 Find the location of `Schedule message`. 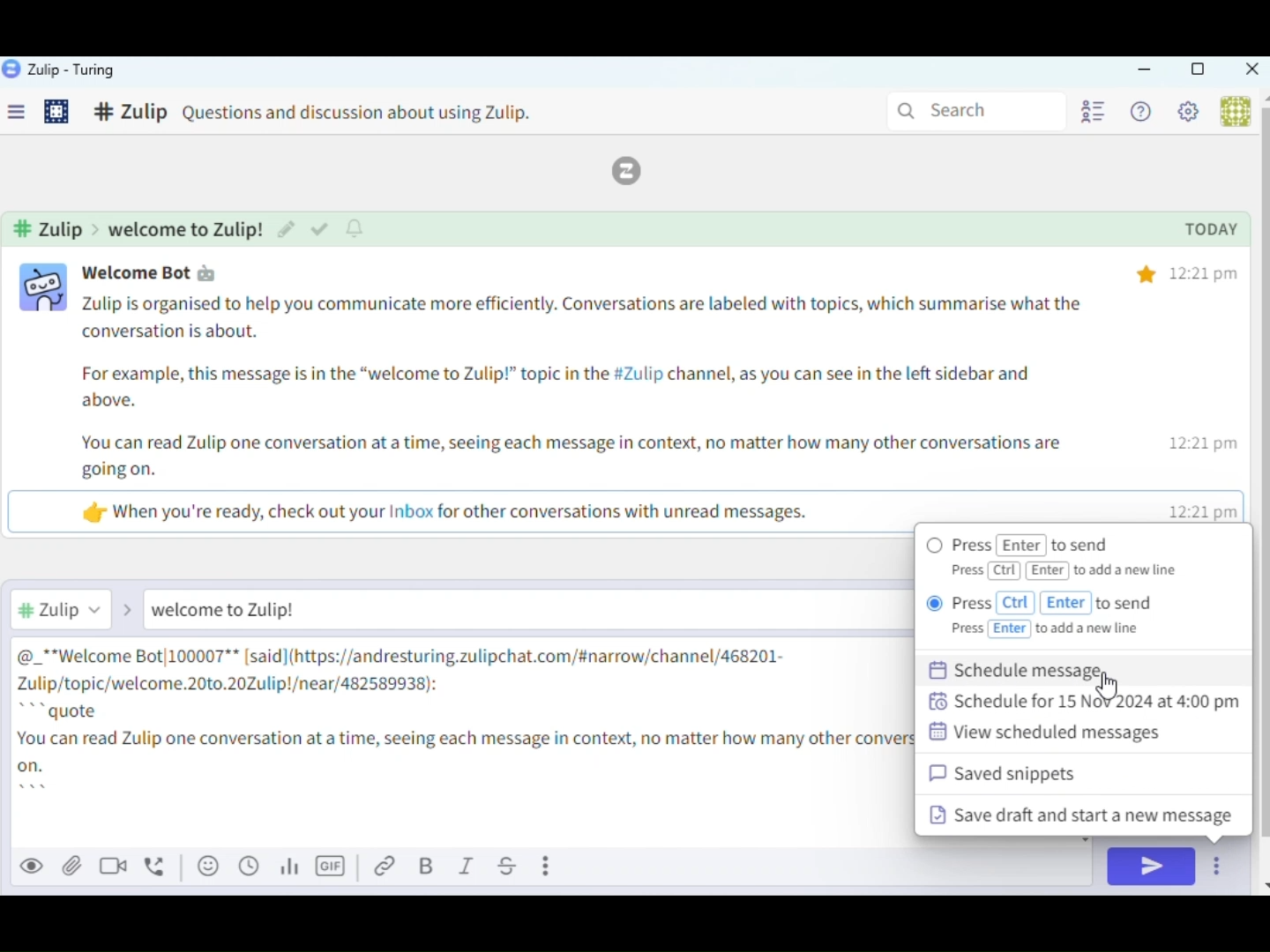

Schedule message is located at coordinates (1043, 668).